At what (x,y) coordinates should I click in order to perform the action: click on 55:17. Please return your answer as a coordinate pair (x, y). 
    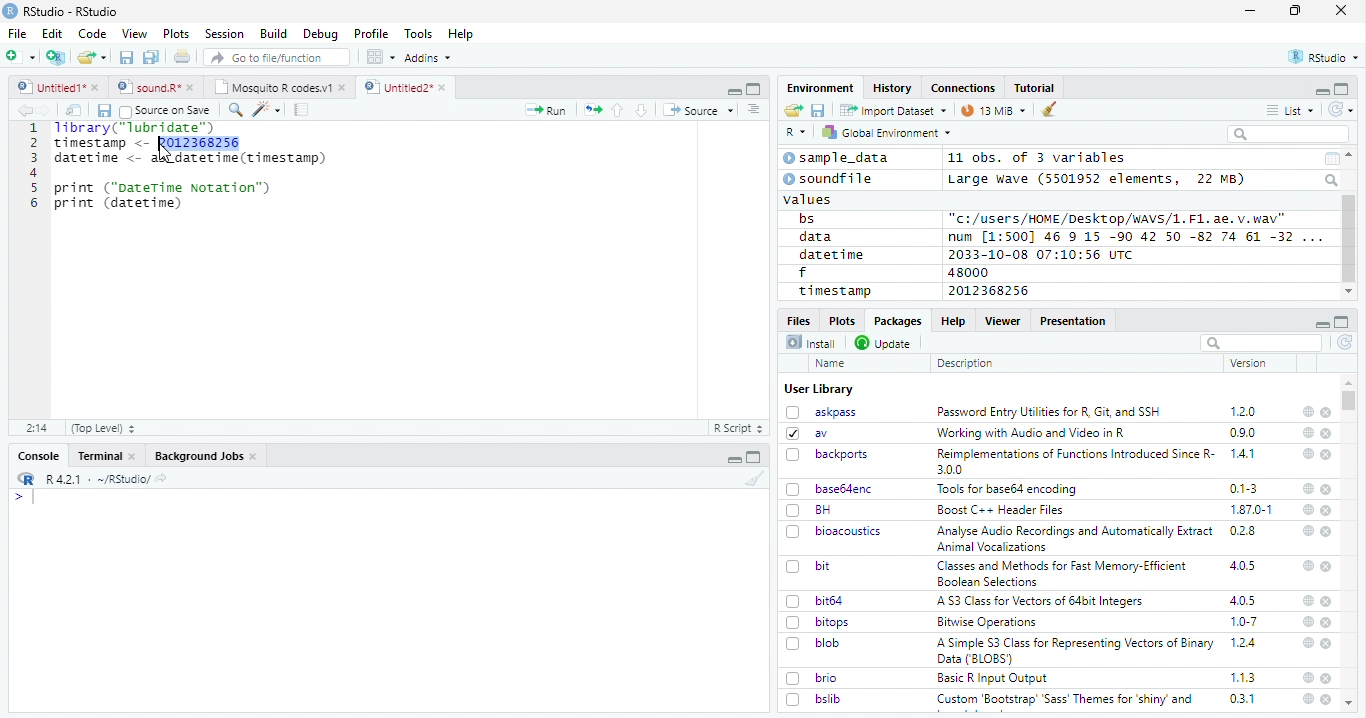
    Looking at the image, I should click on (38, 428).